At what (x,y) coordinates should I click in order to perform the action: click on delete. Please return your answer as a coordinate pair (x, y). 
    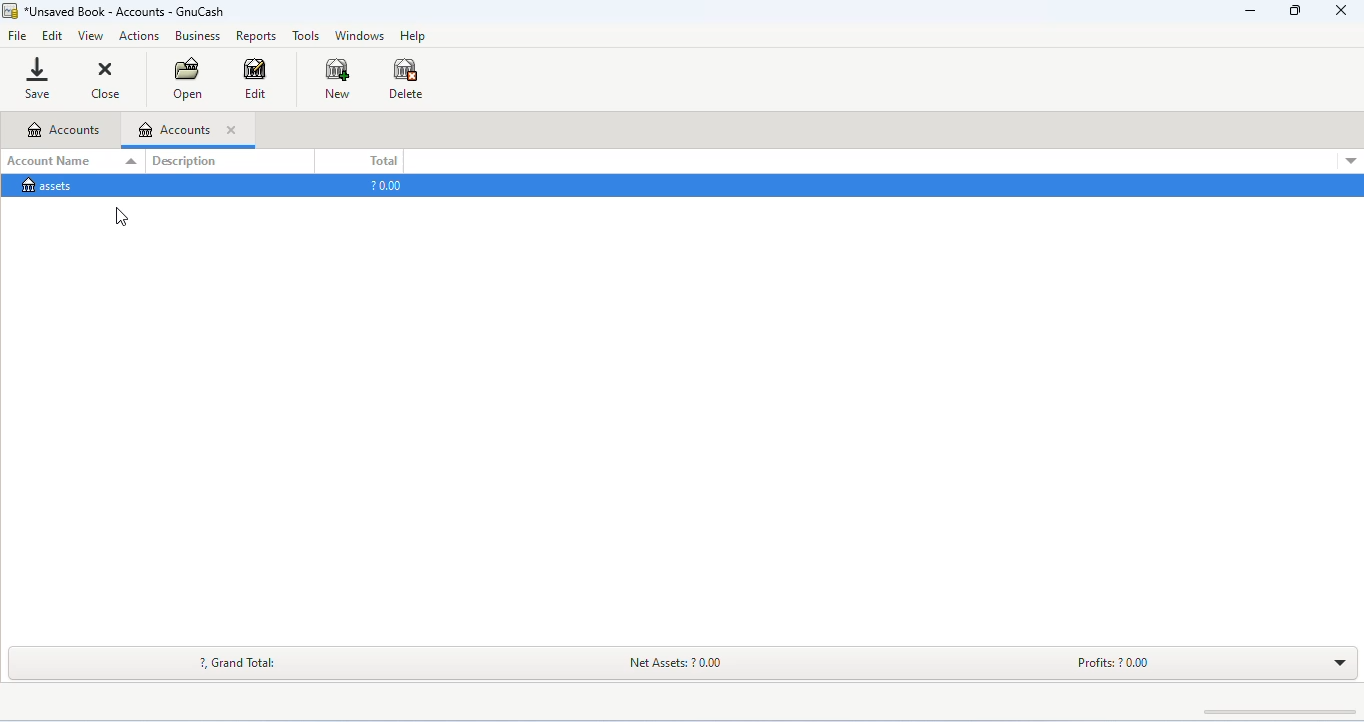
    Looking at the image, I should click on (406, 78).